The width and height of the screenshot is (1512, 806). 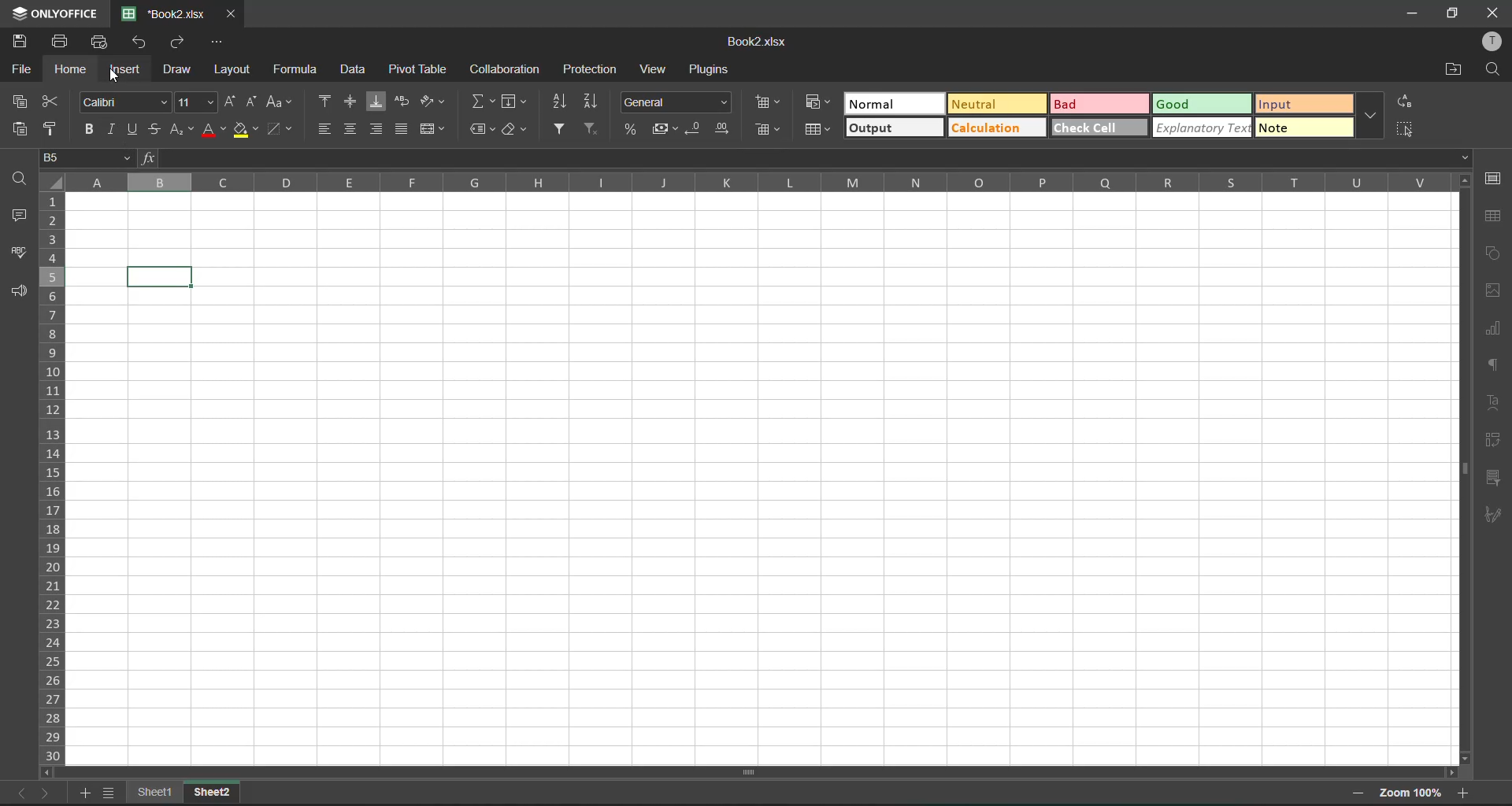 I want to click on add sheet, so click(x=85, y=794).